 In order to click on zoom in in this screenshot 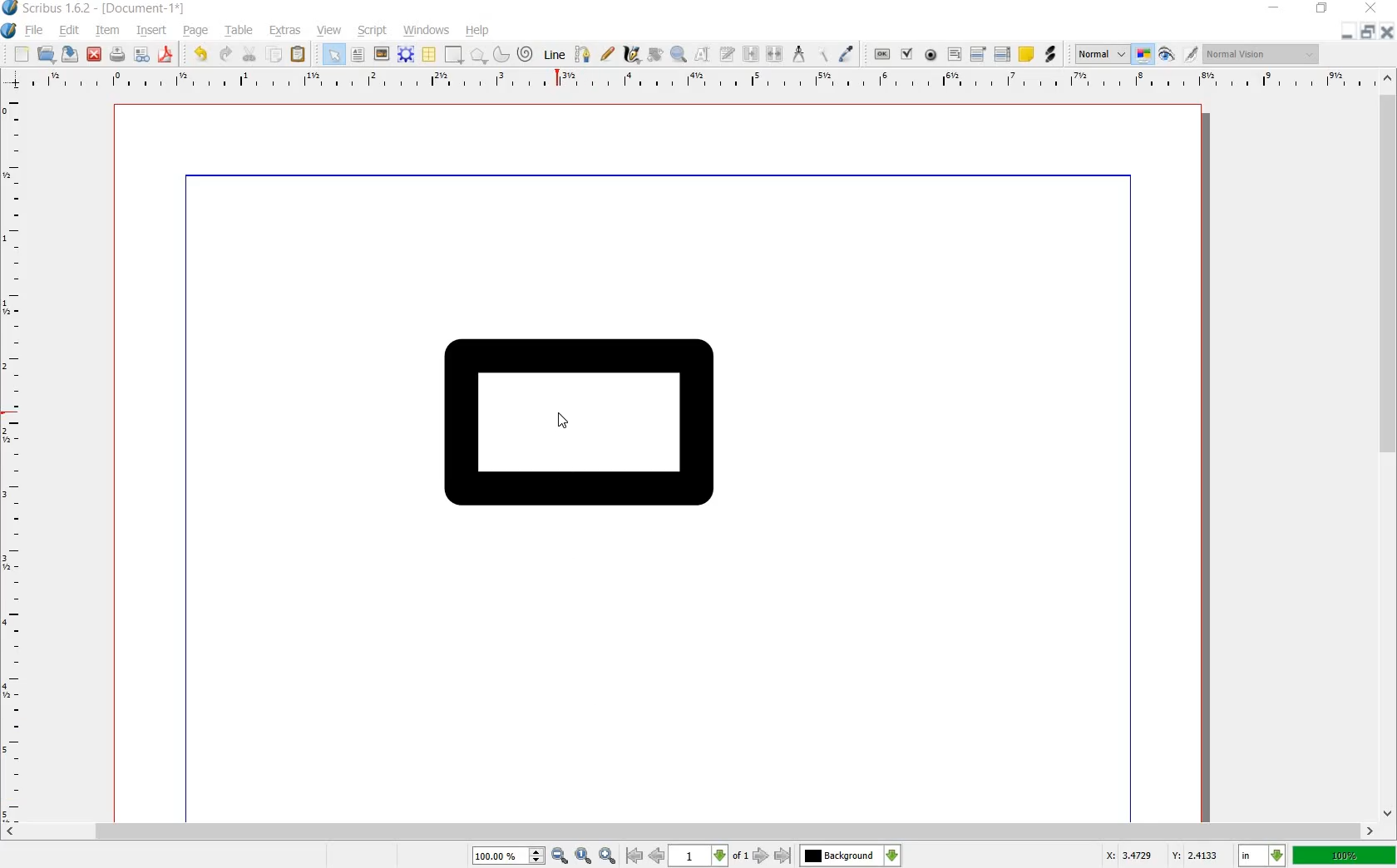, I will do `click(521, 855)`.